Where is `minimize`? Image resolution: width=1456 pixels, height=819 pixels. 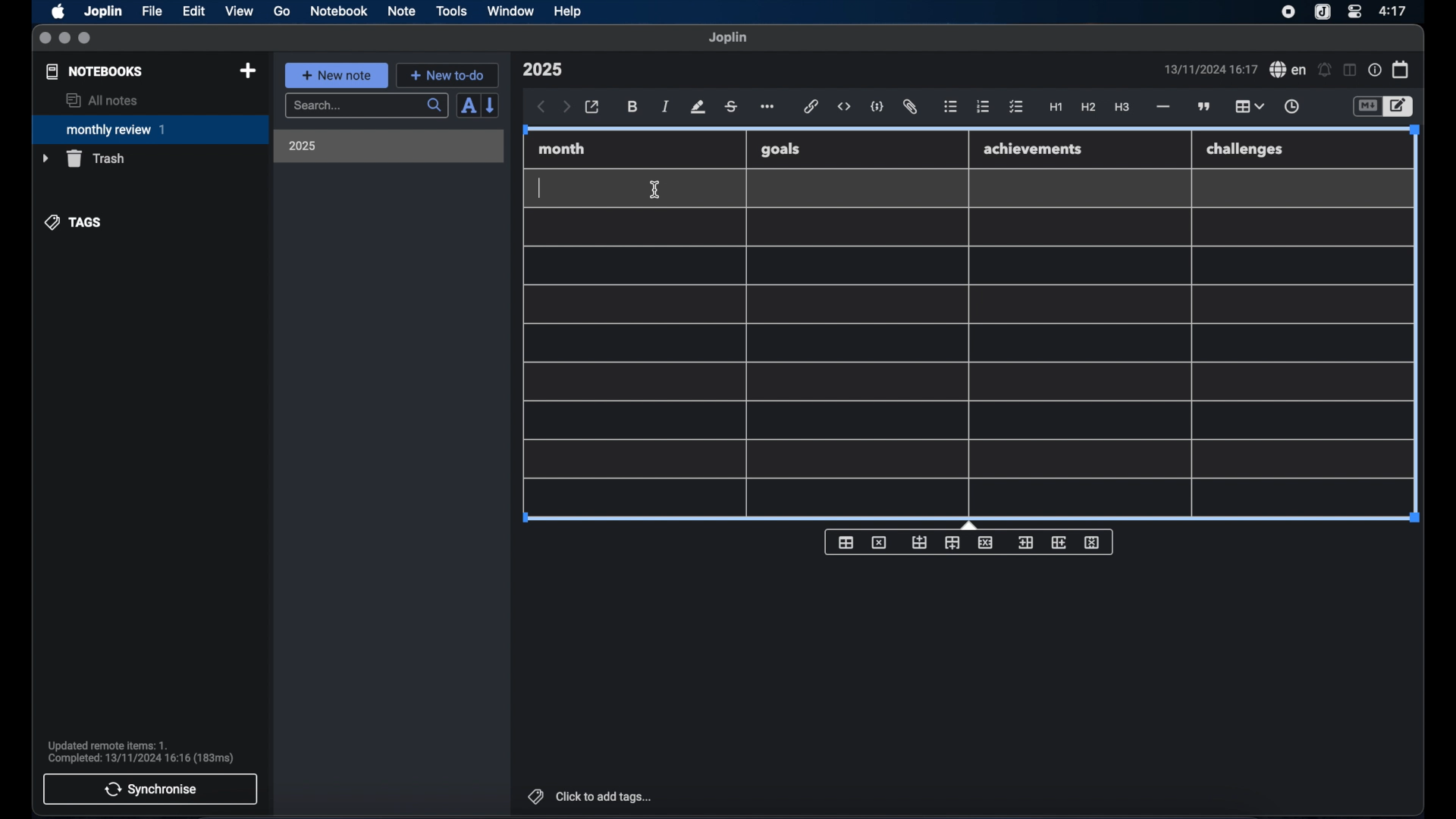 minimize is located at coordinates (64, 39).